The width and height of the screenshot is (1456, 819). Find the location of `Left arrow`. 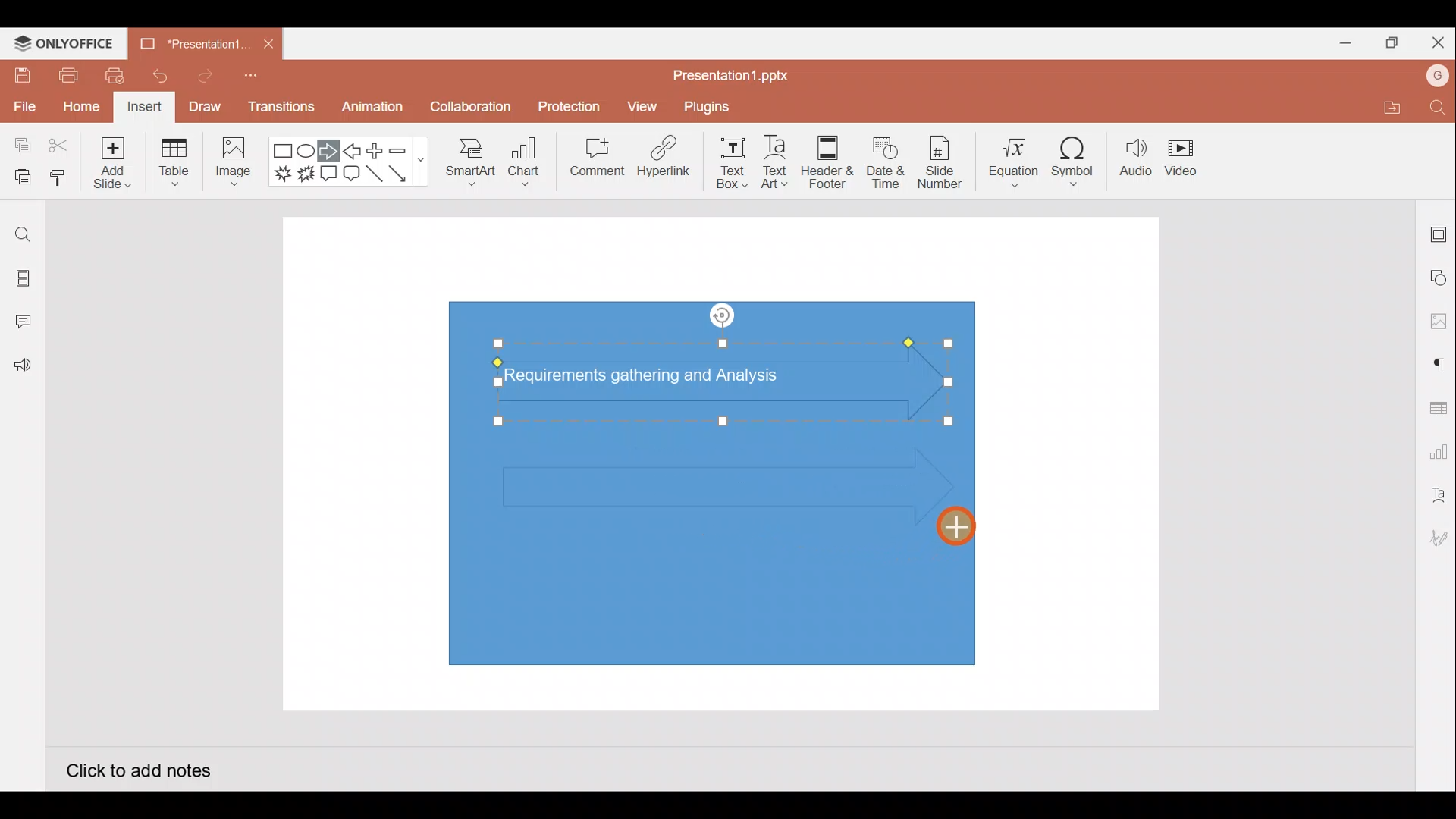

Left arrow is located at coordinates (353, 151).